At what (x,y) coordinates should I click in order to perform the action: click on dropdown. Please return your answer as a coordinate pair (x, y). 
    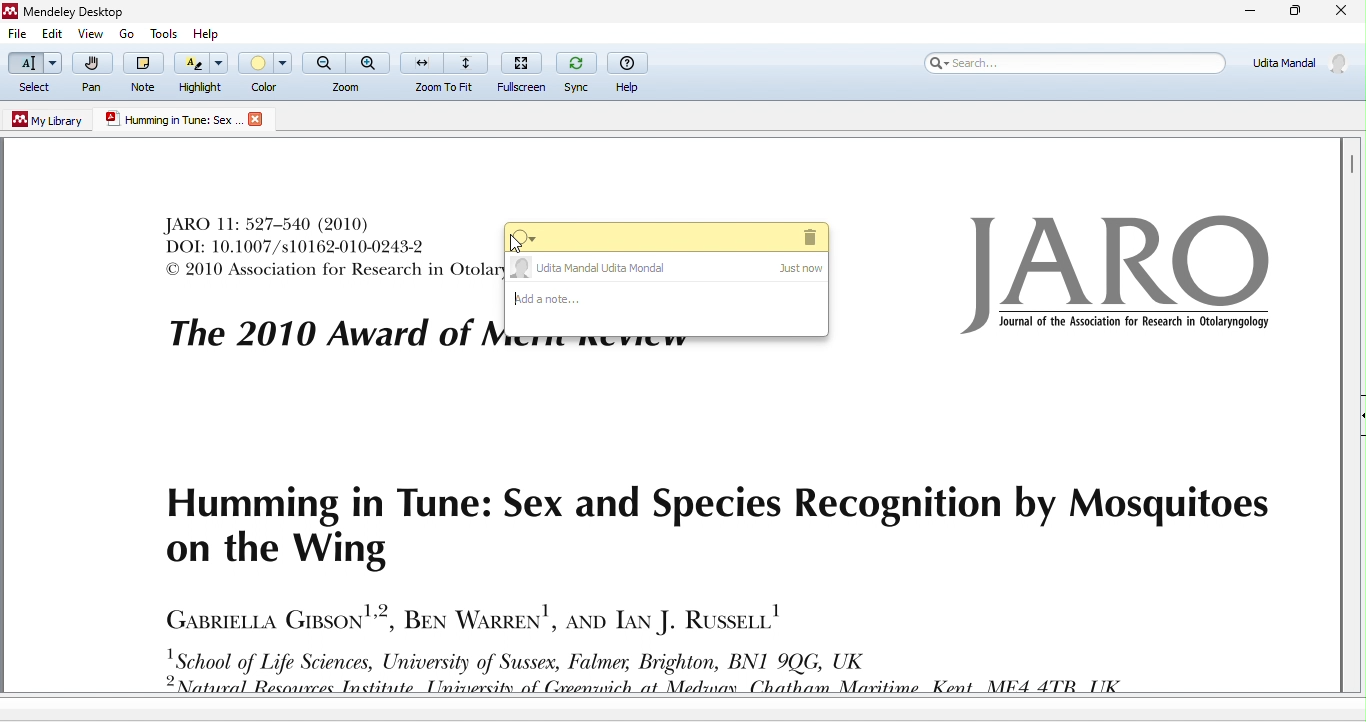
    Looking at the image, I should click on (527, 237).